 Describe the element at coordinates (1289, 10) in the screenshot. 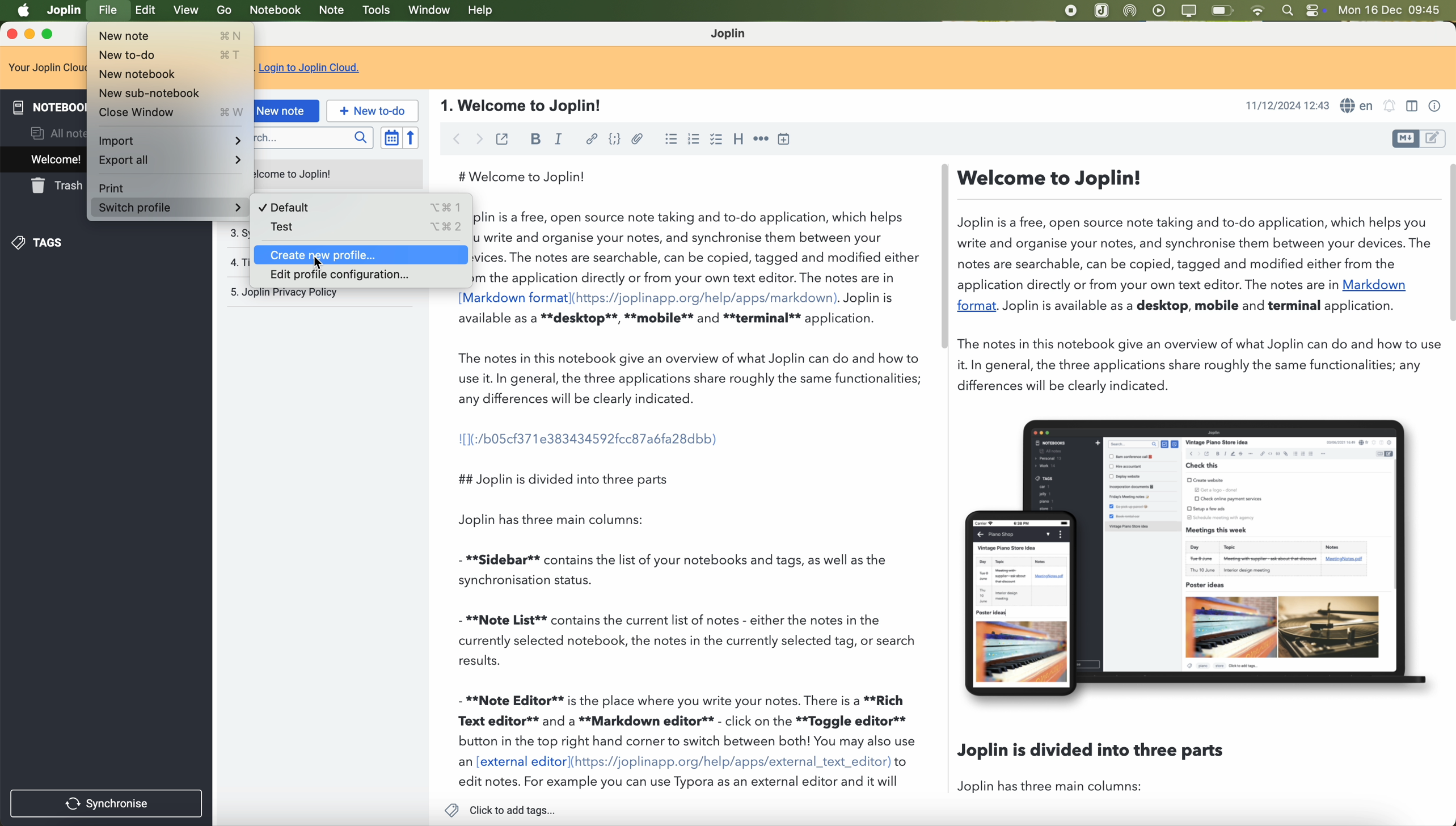

I see `spotlight search` at that location.